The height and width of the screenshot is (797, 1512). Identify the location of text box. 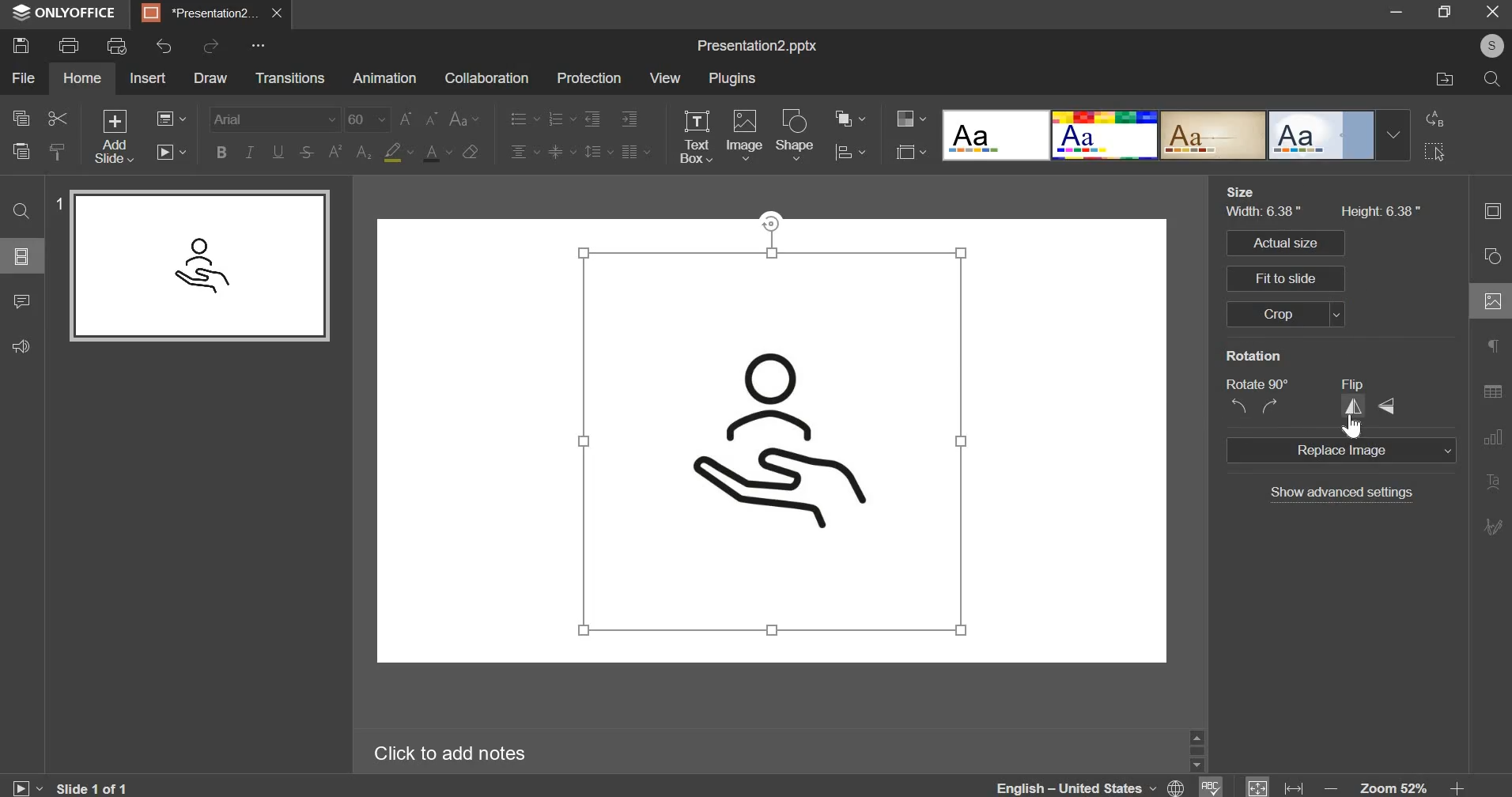
(697, 137).